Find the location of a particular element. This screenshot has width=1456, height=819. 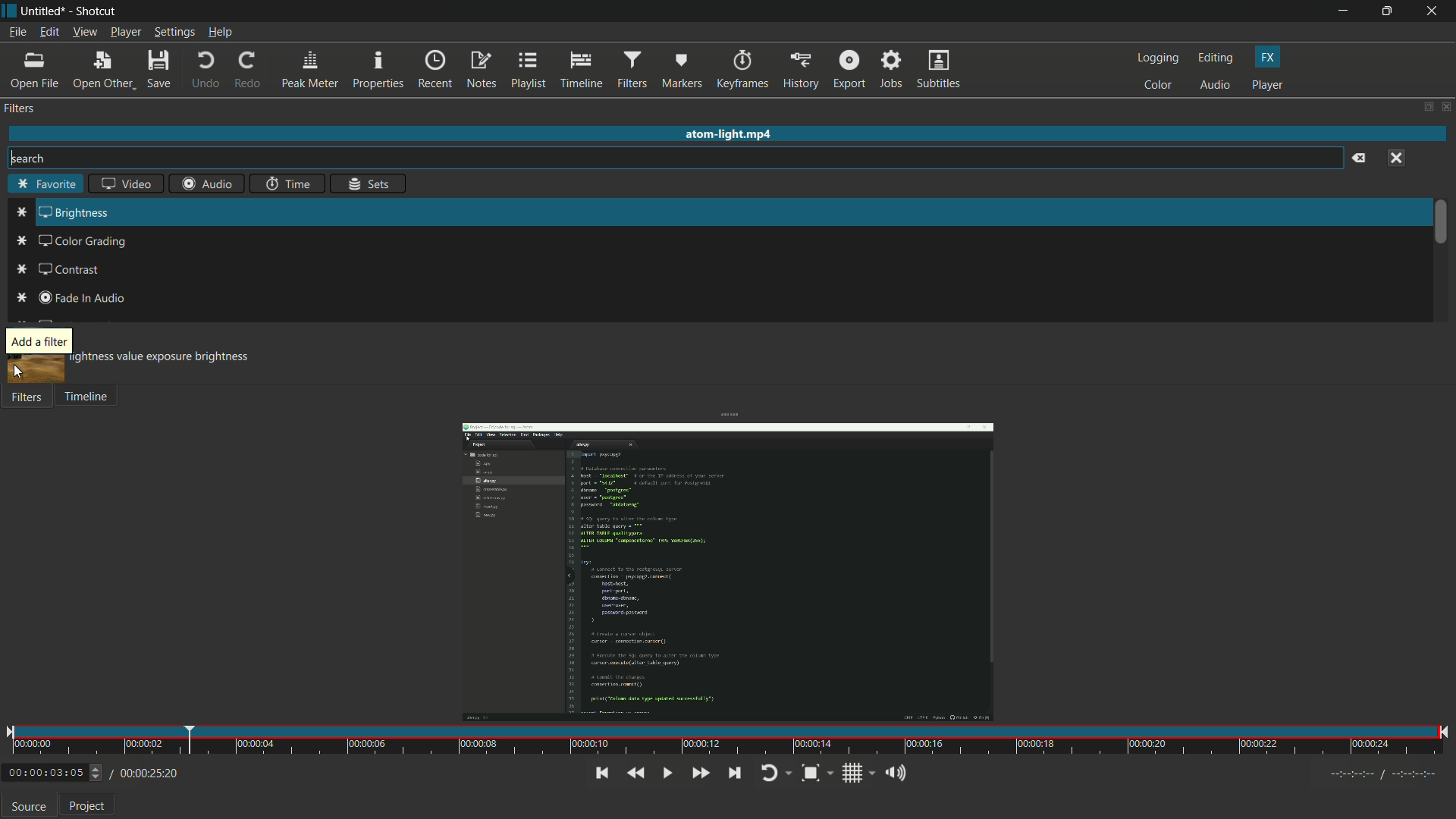

undo is located at coordinates (203, 71).